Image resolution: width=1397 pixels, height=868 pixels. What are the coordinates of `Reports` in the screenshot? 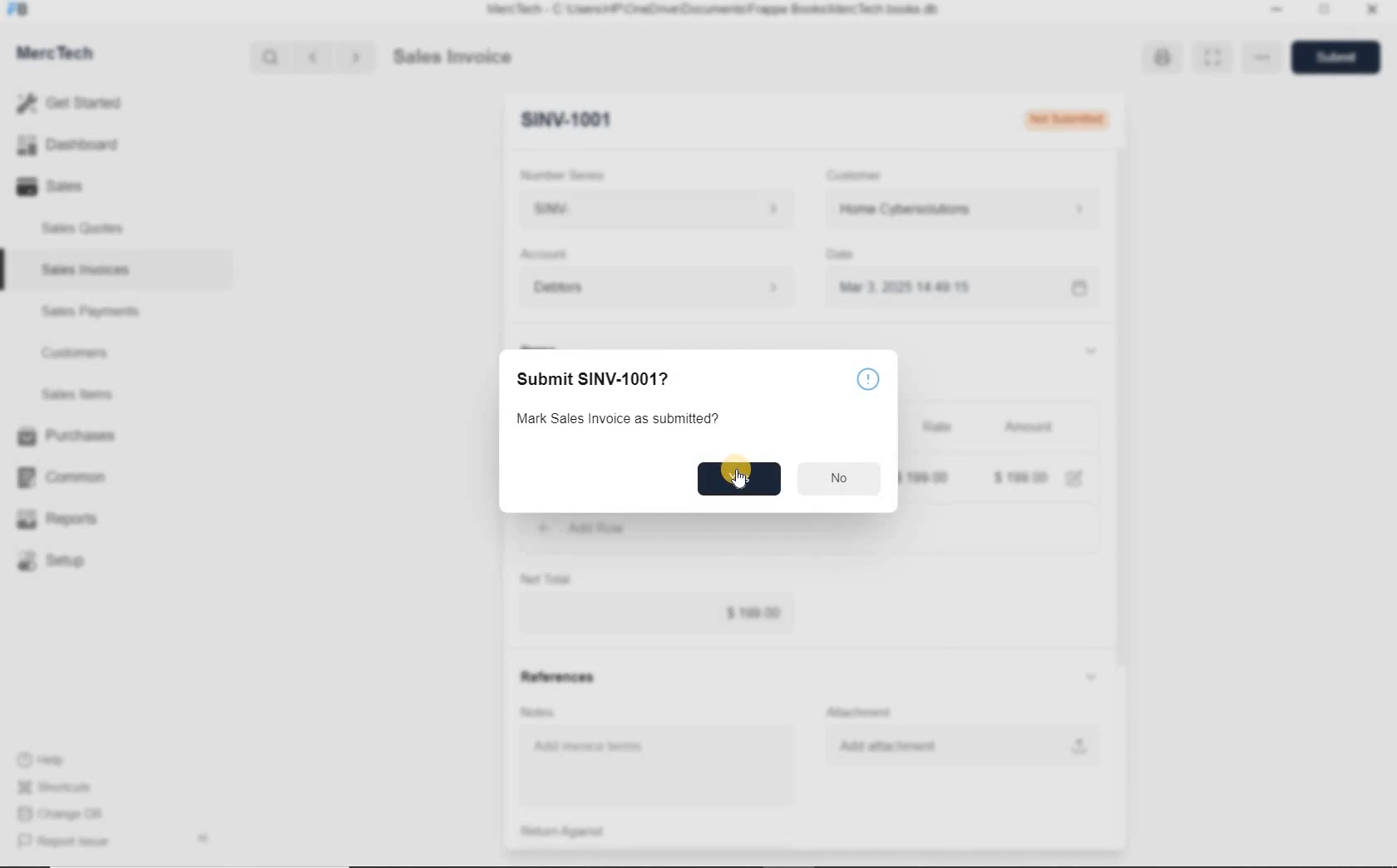 It's located at (70, 520).